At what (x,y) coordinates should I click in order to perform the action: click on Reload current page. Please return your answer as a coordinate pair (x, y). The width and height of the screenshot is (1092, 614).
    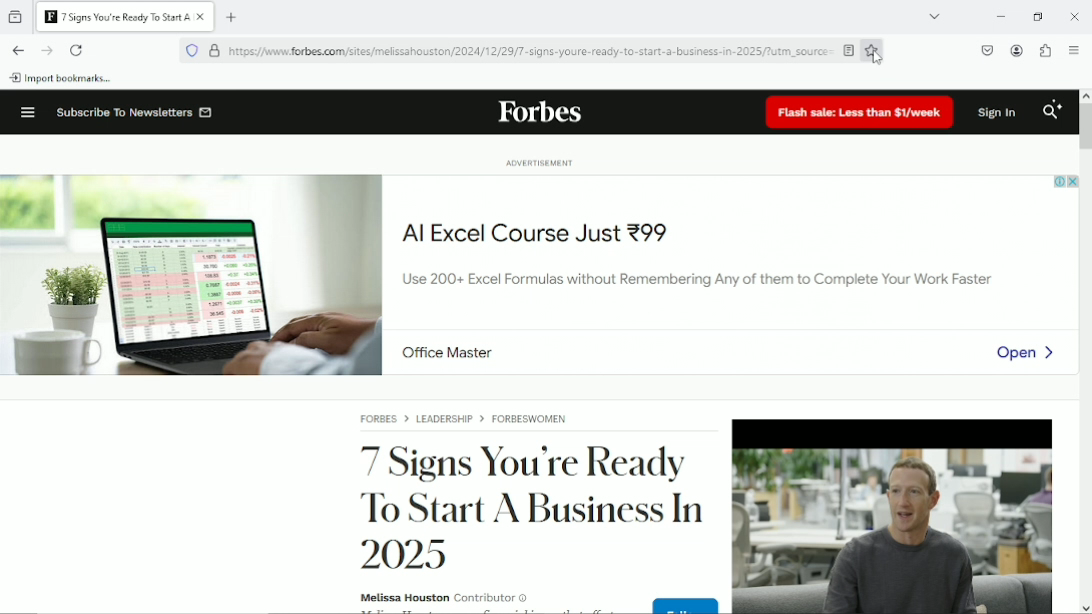
    Looking at the image, I should click on (77, 50).